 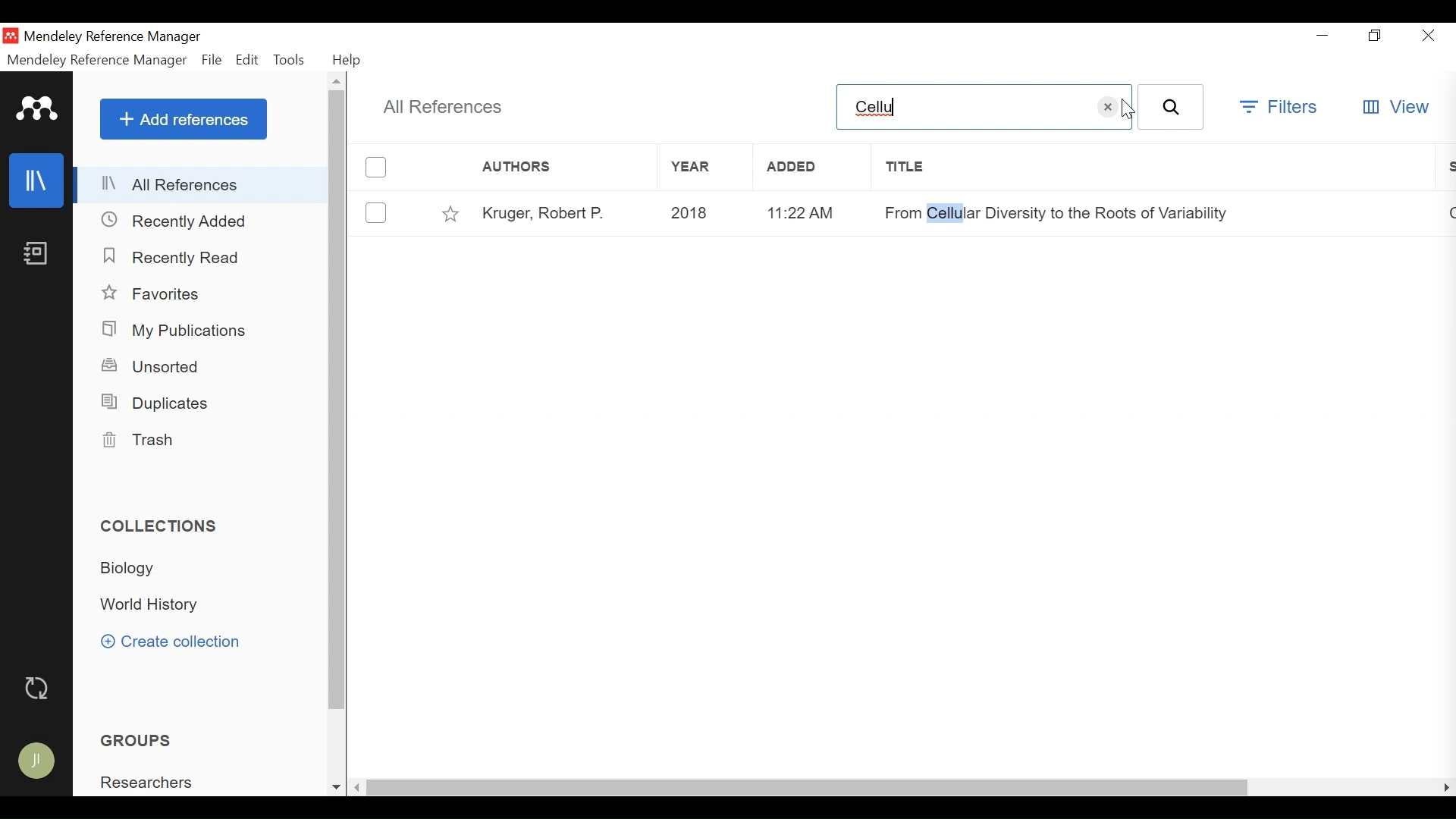 I want to click on Group, so click(x=145, y=781).